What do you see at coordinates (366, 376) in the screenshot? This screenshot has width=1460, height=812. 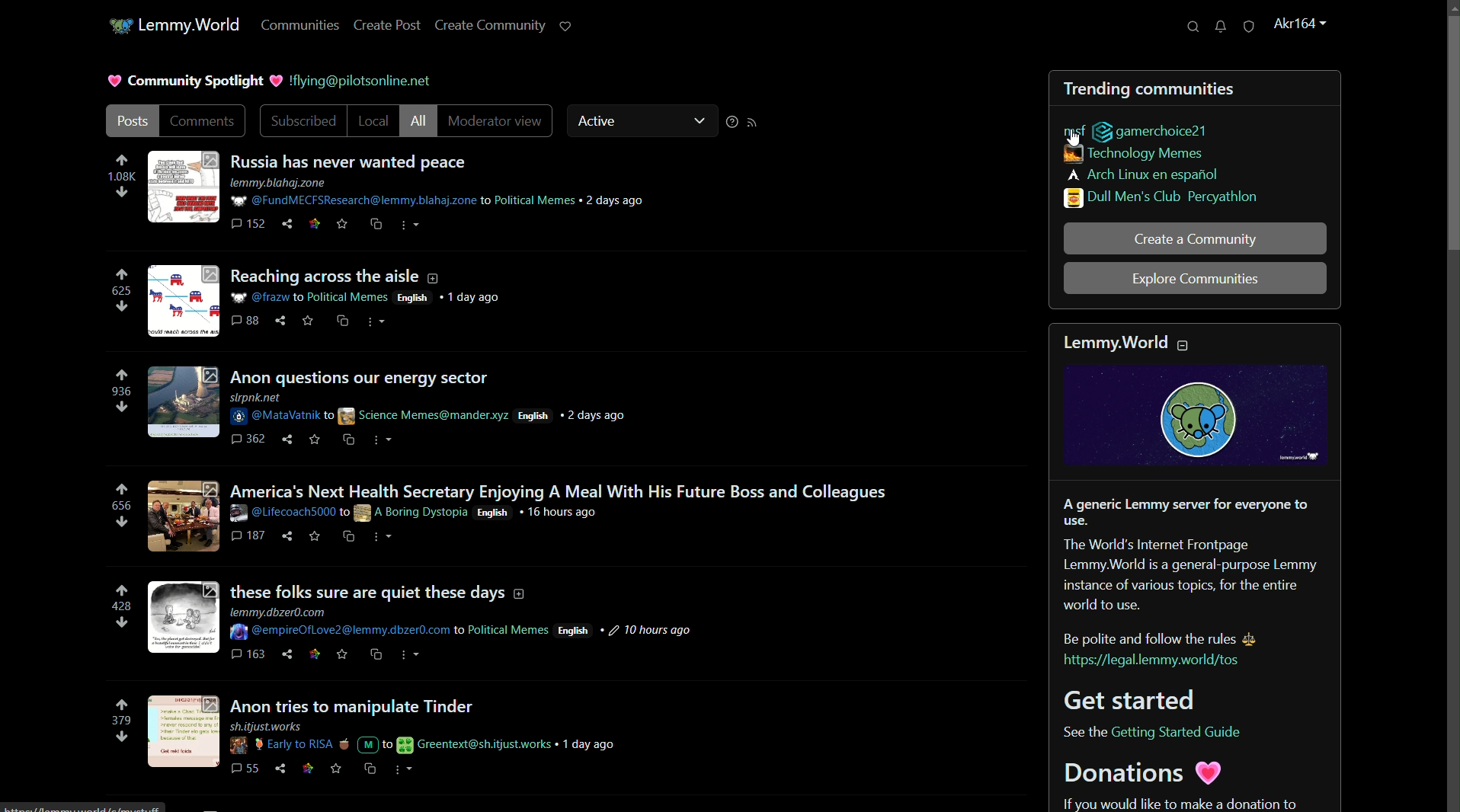 I see `post-3` at bounding box center [366, 376].